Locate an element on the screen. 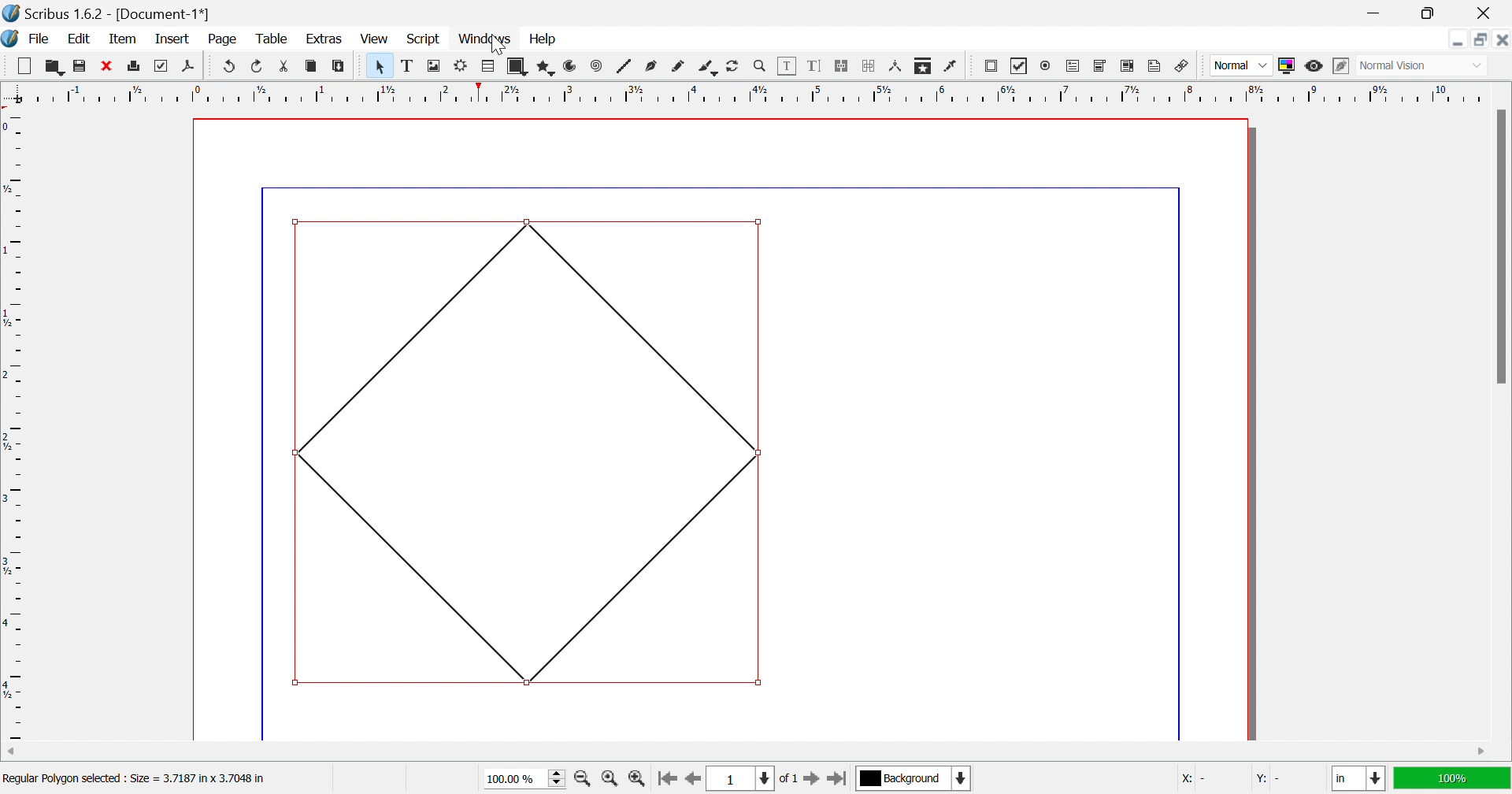  Eye dropper is located at coordinates (952, 66).